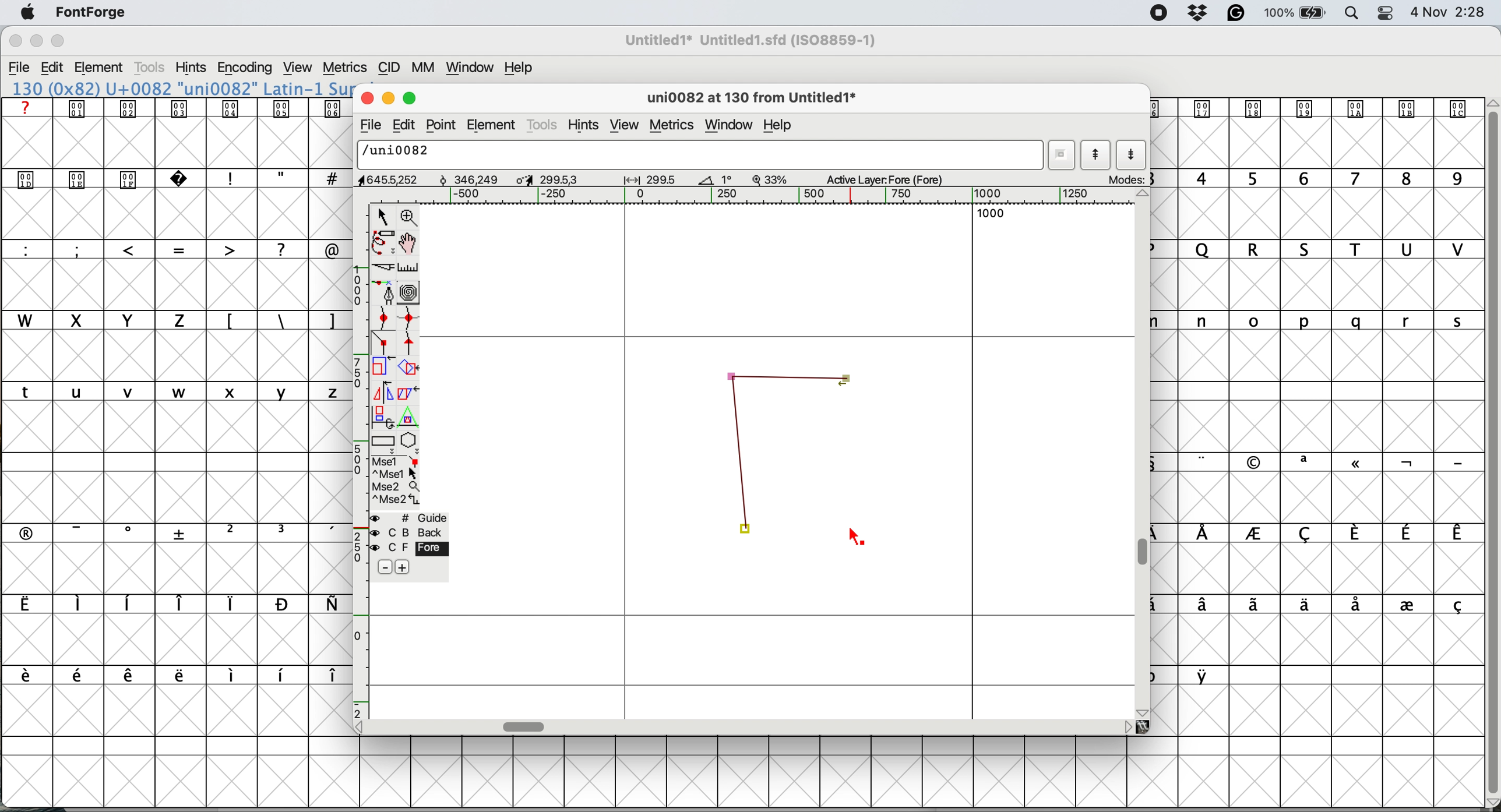  Describe the element at coordinates (410, 243) in the screenshot. I see `scroll by hand` at that location.